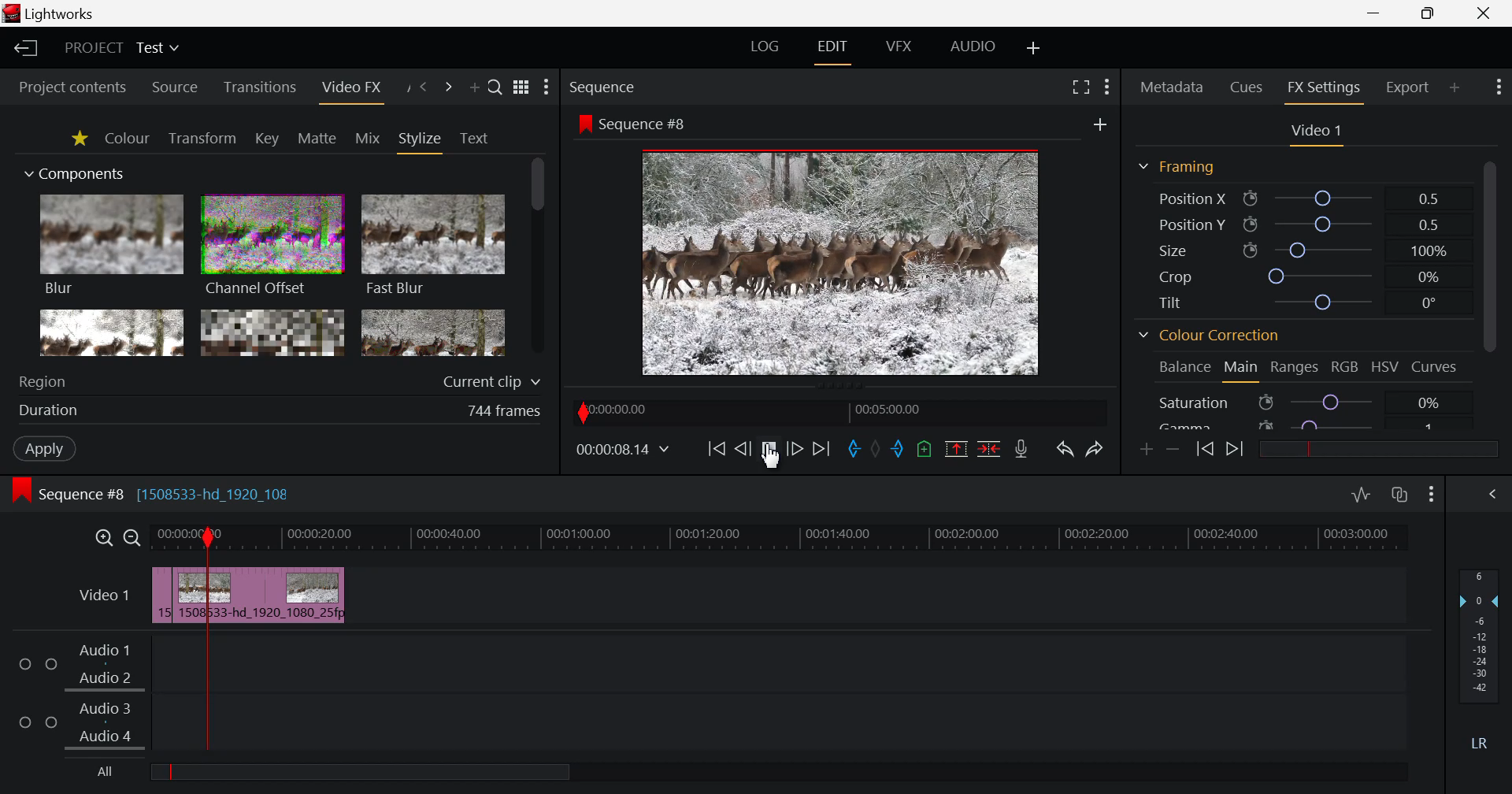 The width and height of the screenshot is (1512, 794). Describe the element at coordinates (841, 261) in the screenshot. I see `Preview at First Cut` at that location.